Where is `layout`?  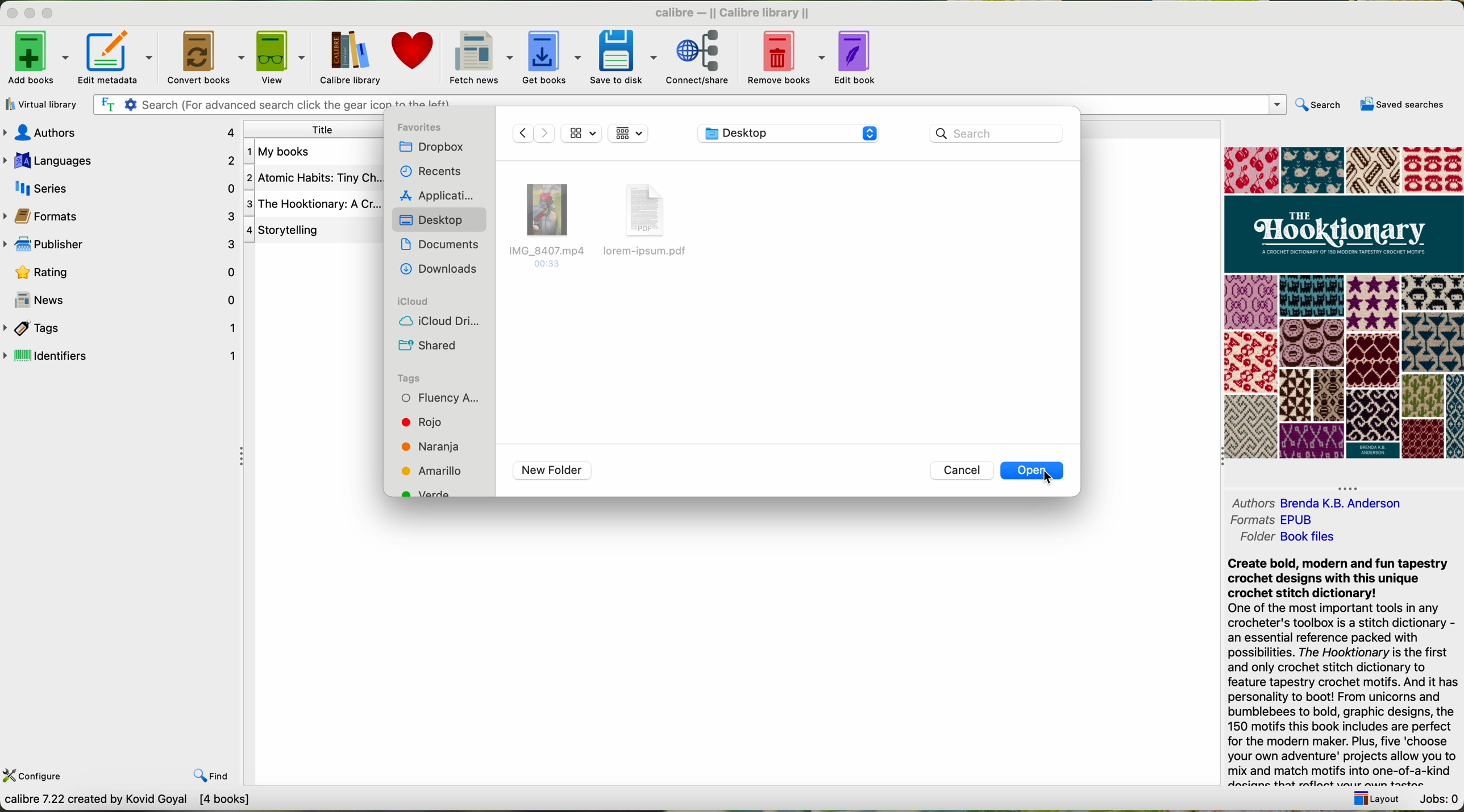 layout is located at coordinates (1373, 798).